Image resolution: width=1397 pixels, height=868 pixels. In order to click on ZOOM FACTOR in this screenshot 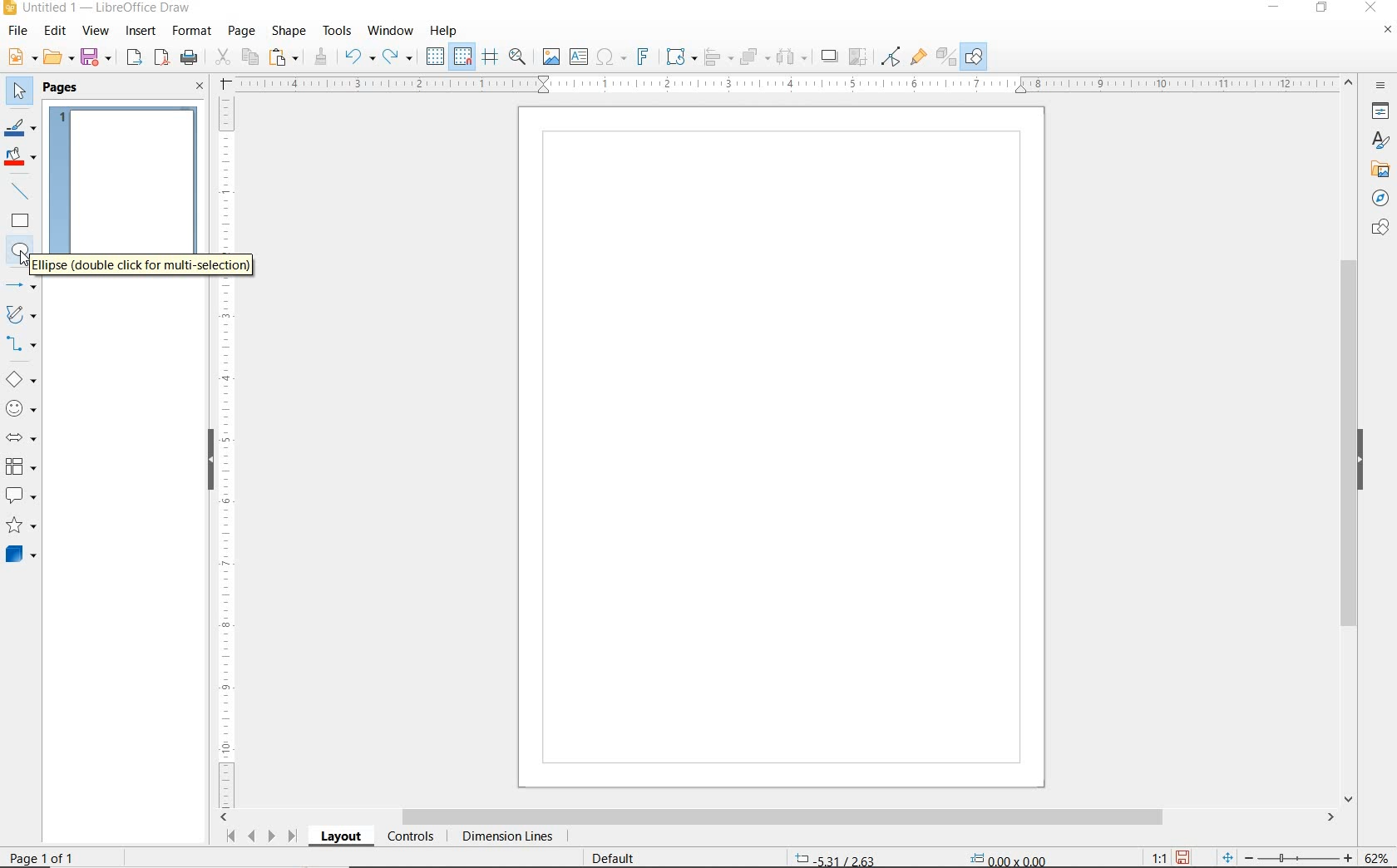, I will do `click(1377, 855)`.